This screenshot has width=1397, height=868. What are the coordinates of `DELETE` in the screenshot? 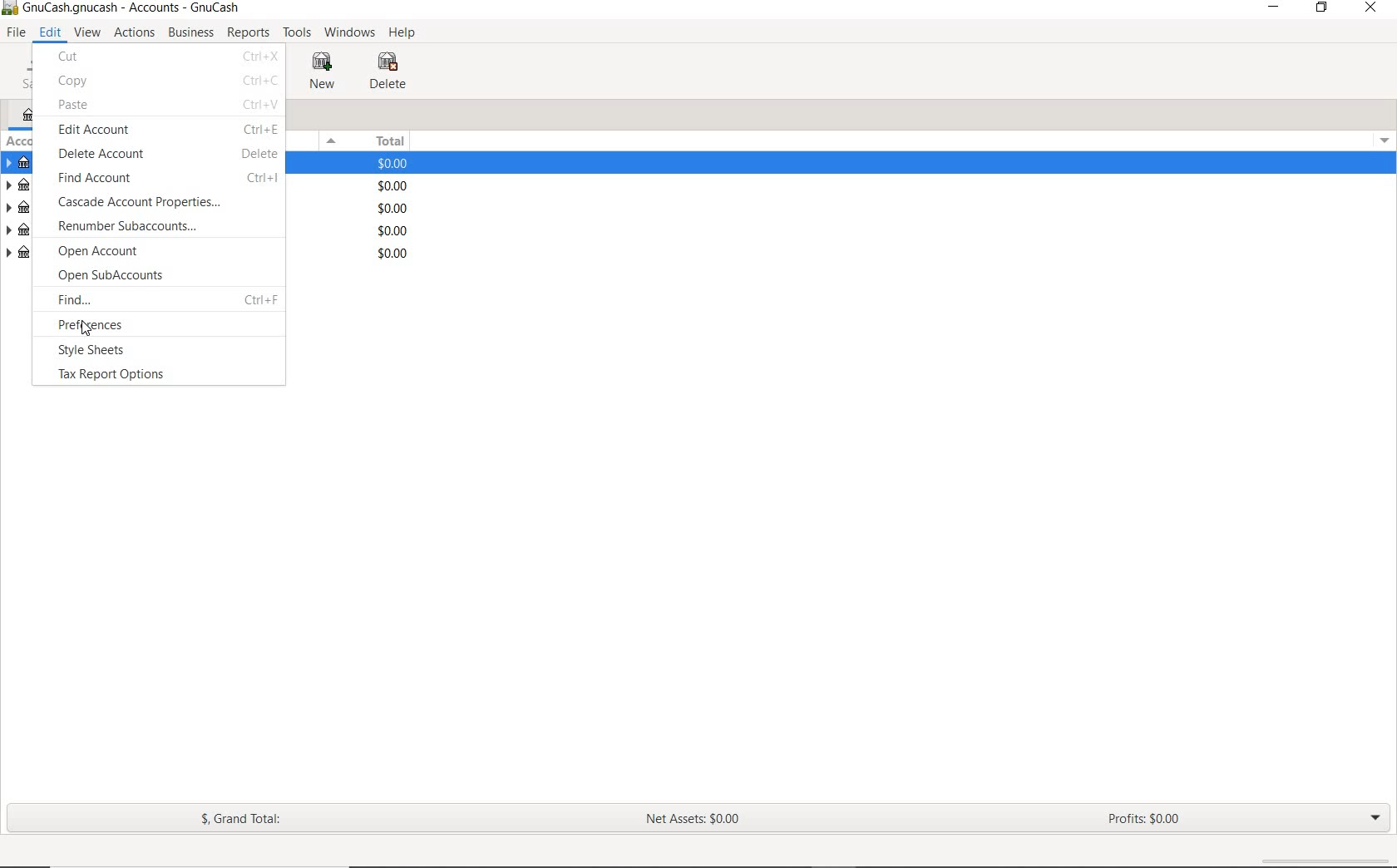 It's located at (391, 72).